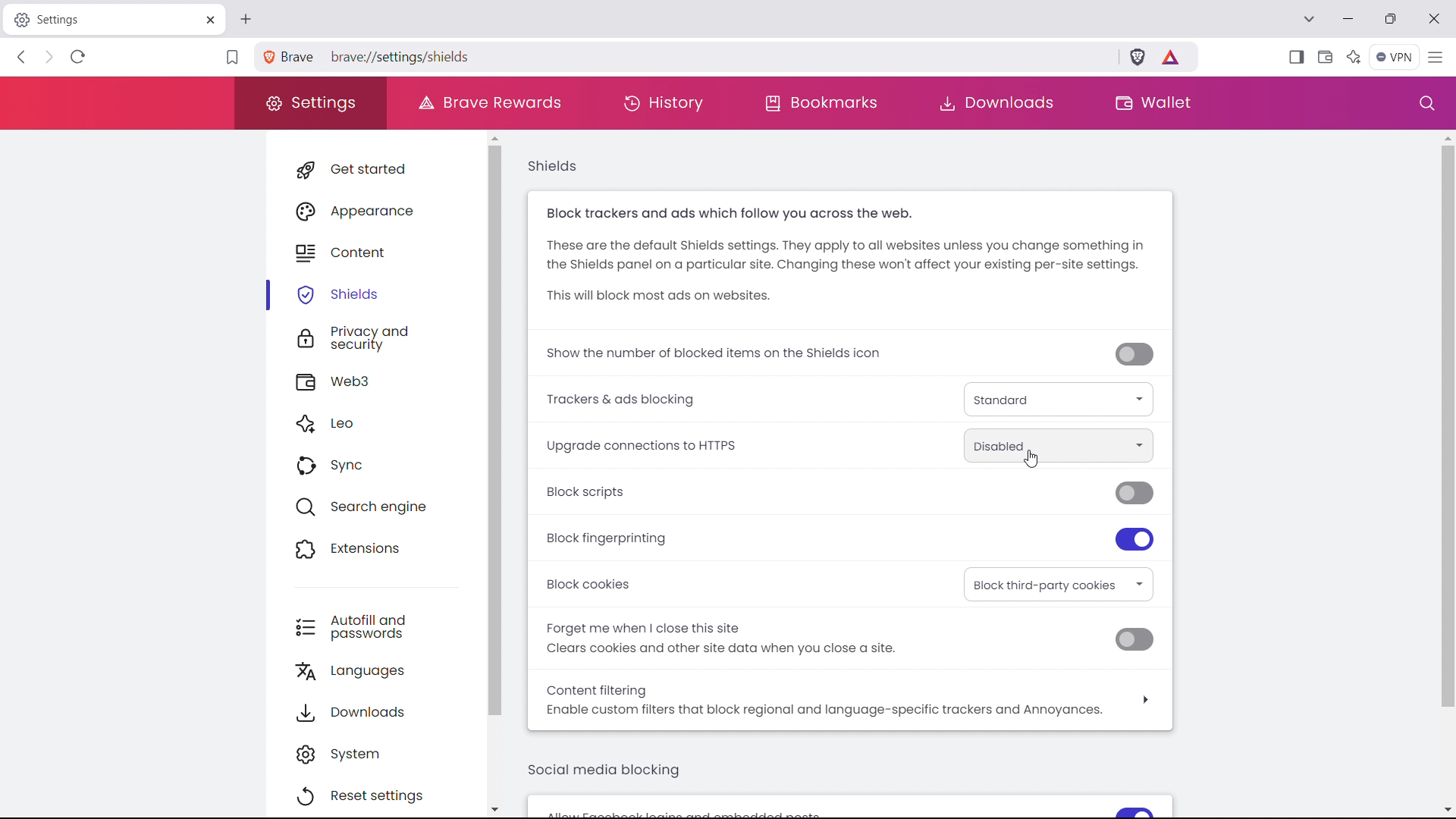 This screenshot has width=1456, height=819. What do you see at coordinates (604, 769) in the screenshot?
I see `social media blocking` at bounding box center [604, 769].